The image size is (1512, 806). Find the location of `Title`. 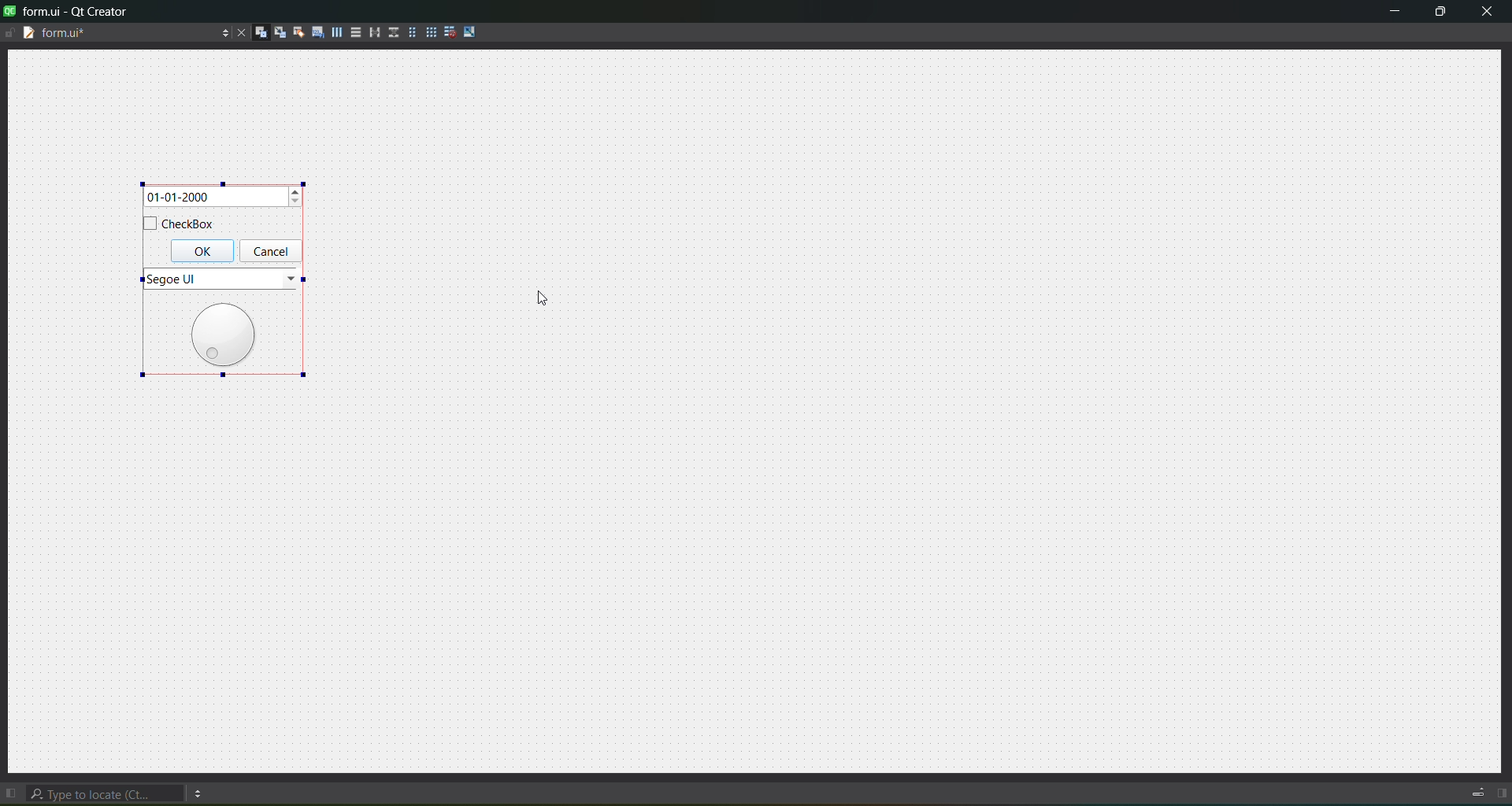

Title is located at coordinates (69, 11).